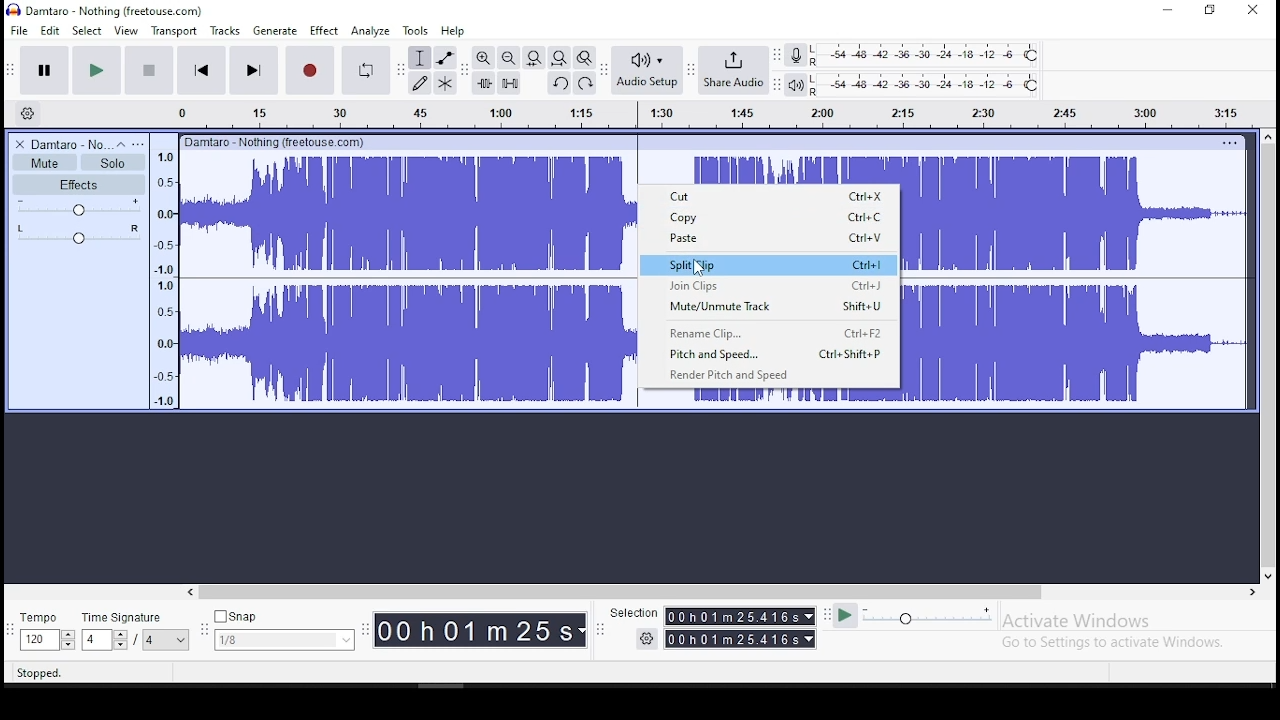  What do you see at coordinates (776, 307) in the screenshot?
I see `mute/unmute track shift+u` at bounding box center [776, 307].